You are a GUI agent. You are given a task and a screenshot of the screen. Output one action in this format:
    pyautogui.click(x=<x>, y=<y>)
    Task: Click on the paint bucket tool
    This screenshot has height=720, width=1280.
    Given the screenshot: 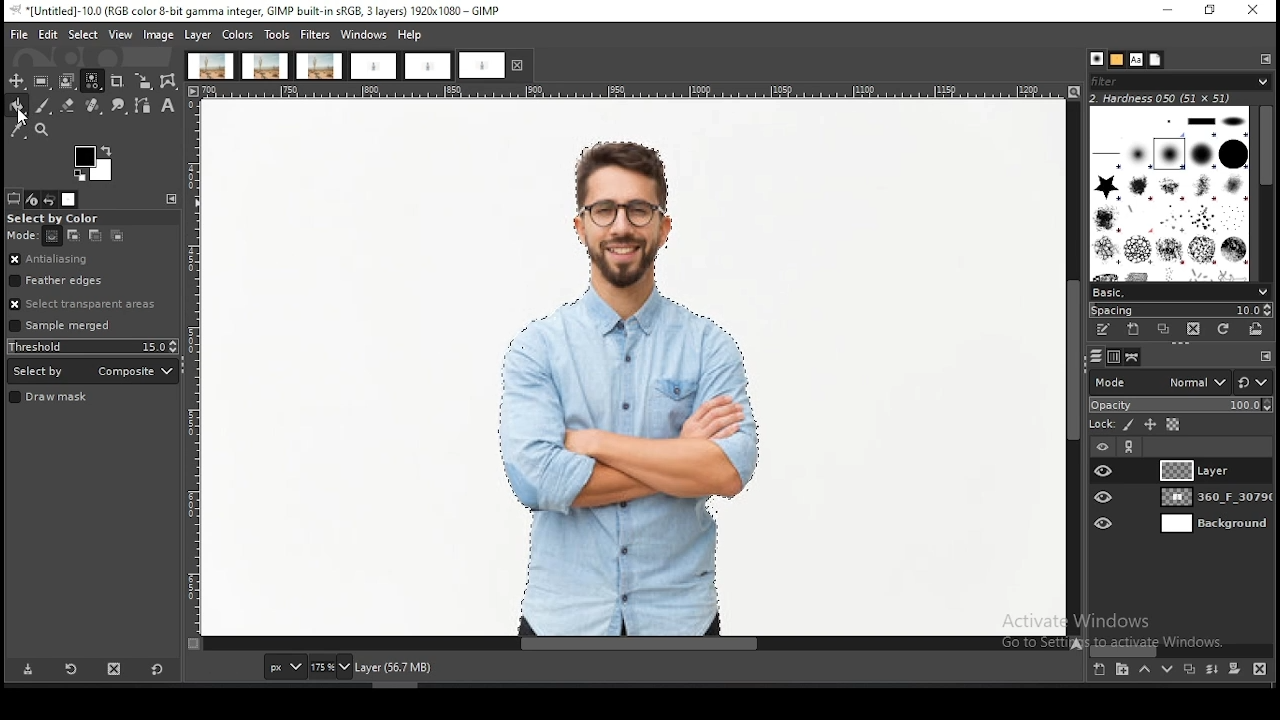 What is the action you would take?
    pyautogui.click(x=15, y=106)
    